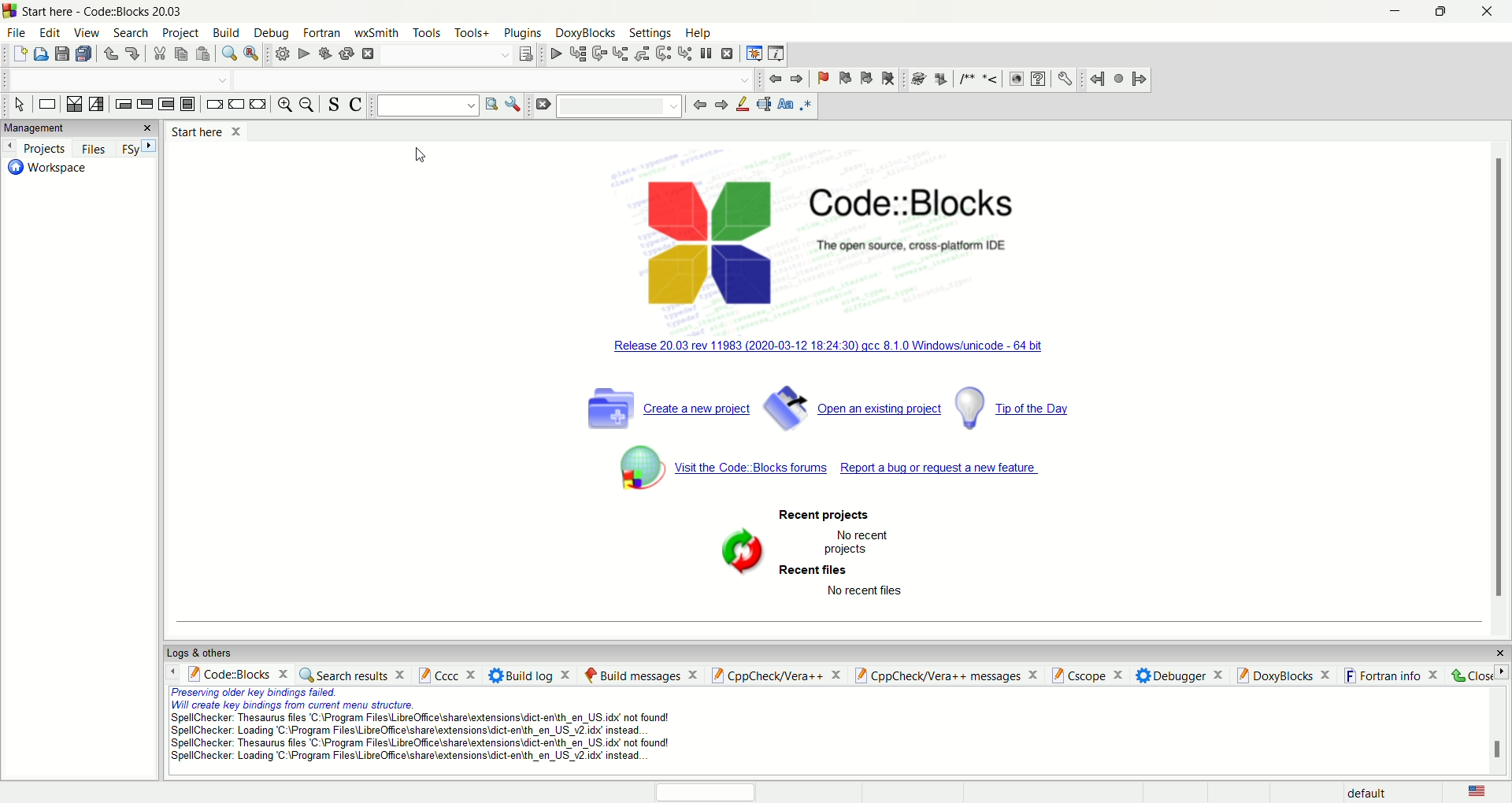  I want to click on show select target dialog, so click(525, 55).